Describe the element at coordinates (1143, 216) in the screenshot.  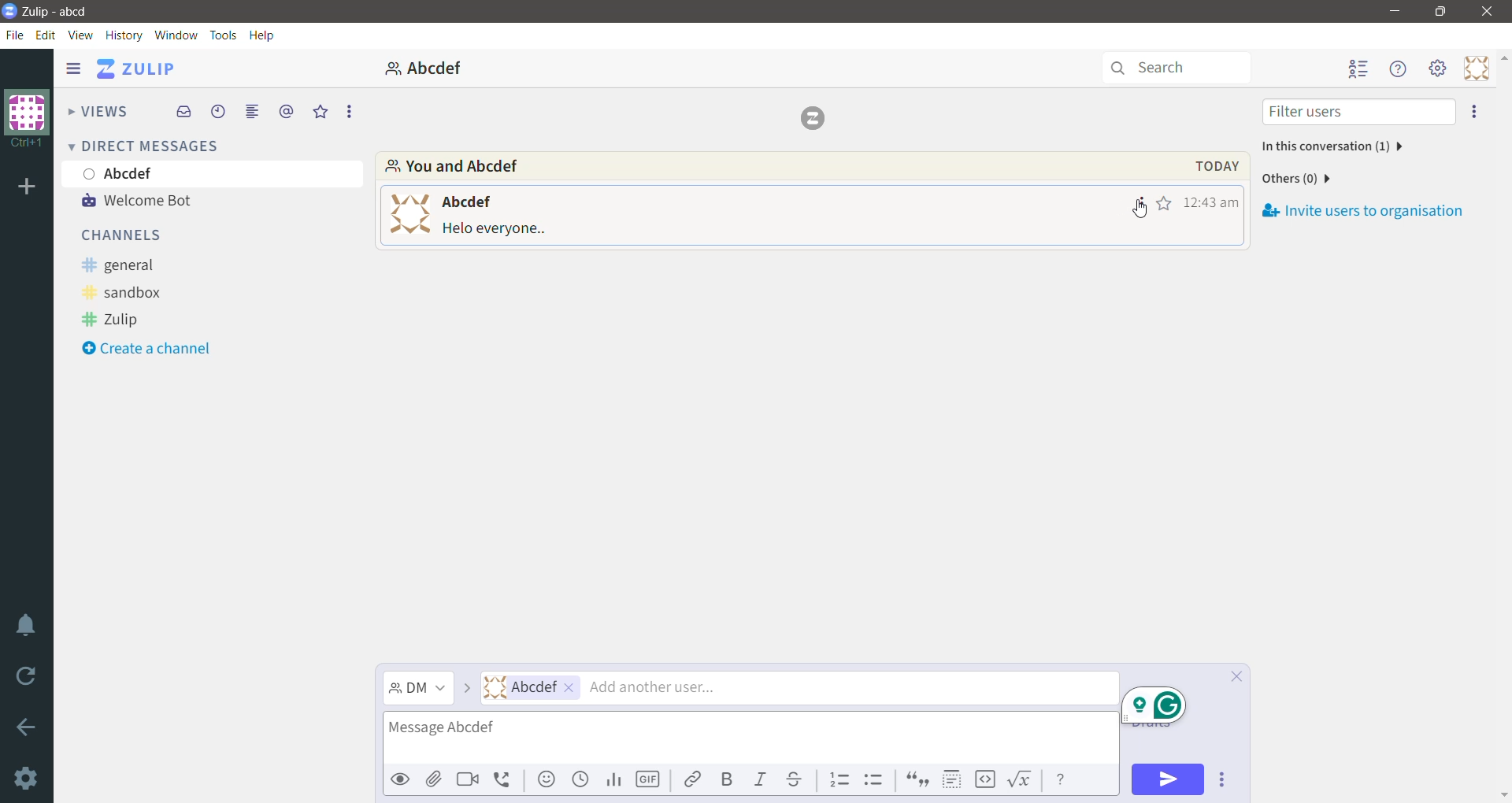
I see `cursor` at that location.